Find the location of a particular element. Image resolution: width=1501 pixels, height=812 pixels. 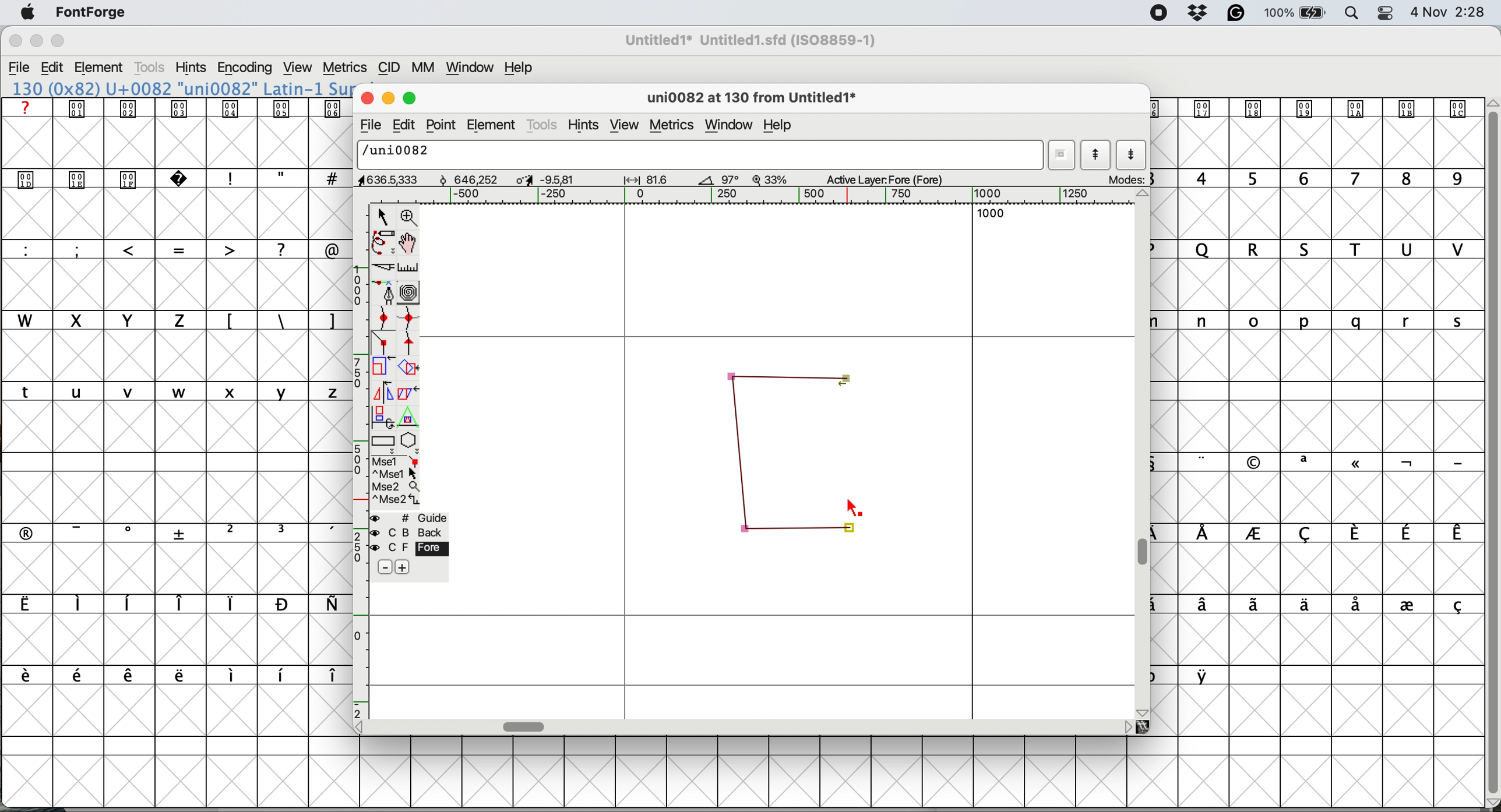

symbols is located at coordinates (1331, 463).